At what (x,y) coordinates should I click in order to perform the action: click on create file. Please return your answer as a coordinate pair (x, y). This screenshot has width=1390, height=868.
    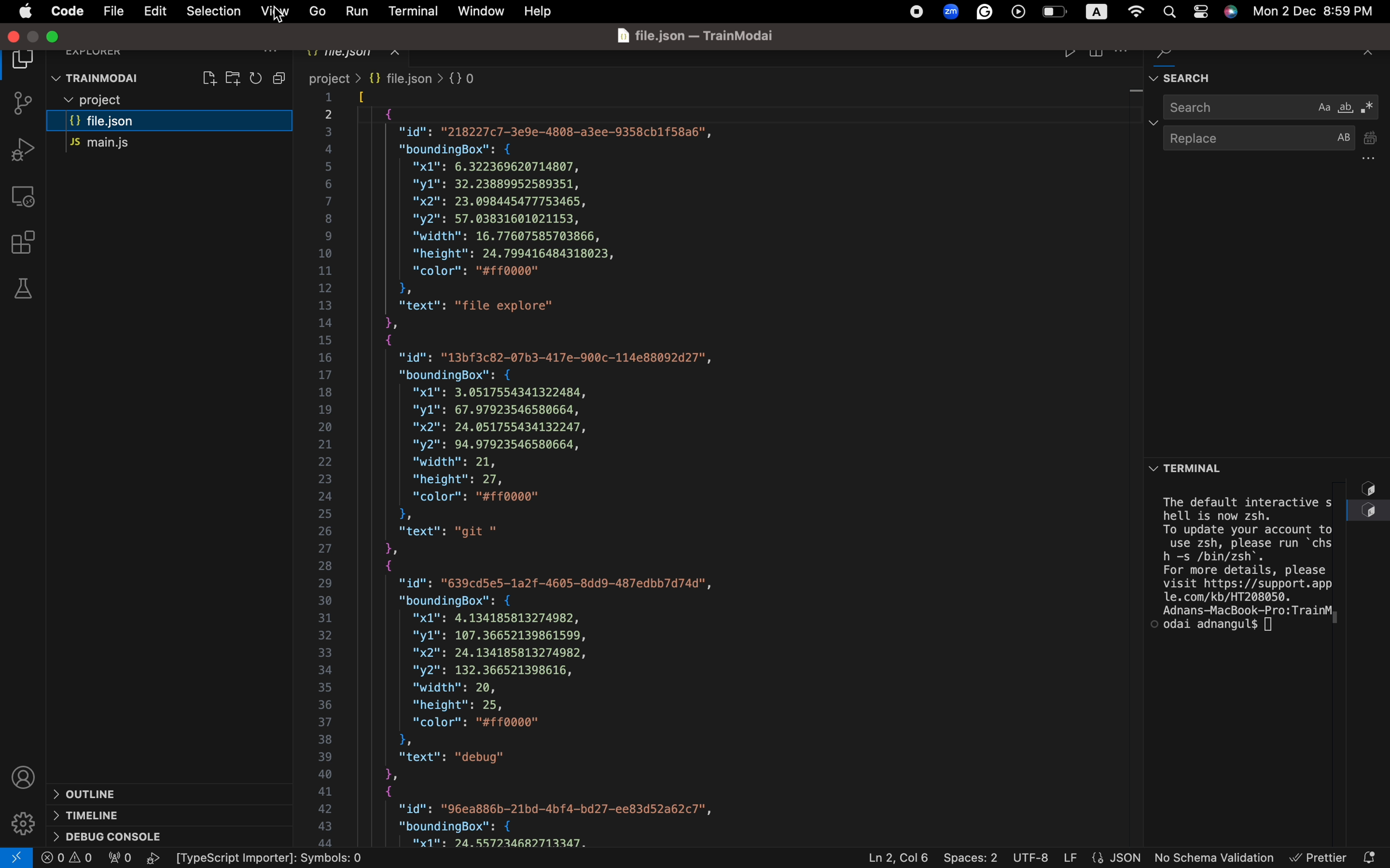
    Looking at the image, I should click on (208, 76).